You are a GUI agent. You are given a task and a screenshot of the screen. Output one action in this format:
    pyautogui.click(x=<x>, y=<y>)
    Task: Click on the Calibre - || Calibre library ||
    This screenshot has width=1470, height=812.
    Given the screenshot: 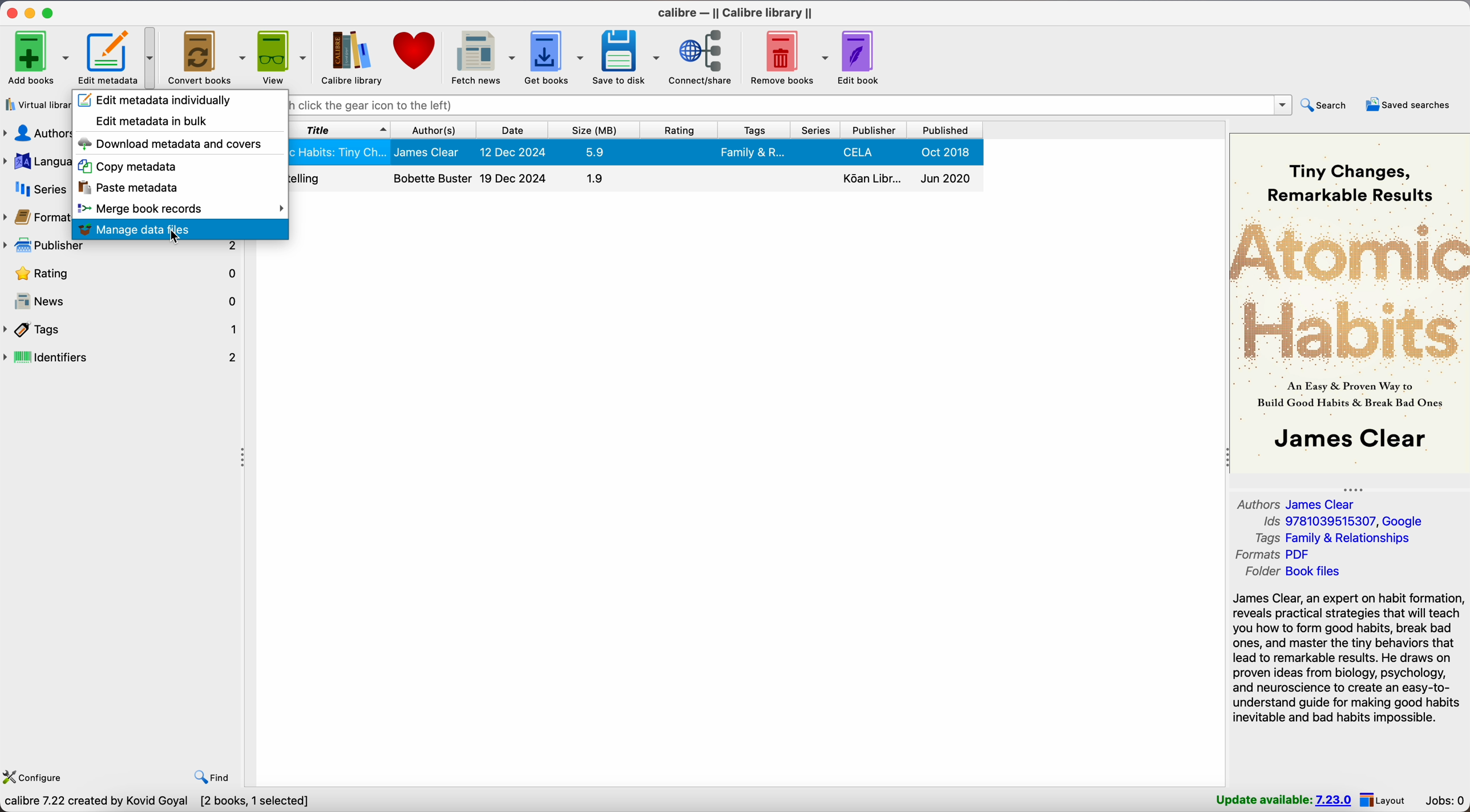 What is the action you would take?
    pyautogui.click(x=736, y=14)
    